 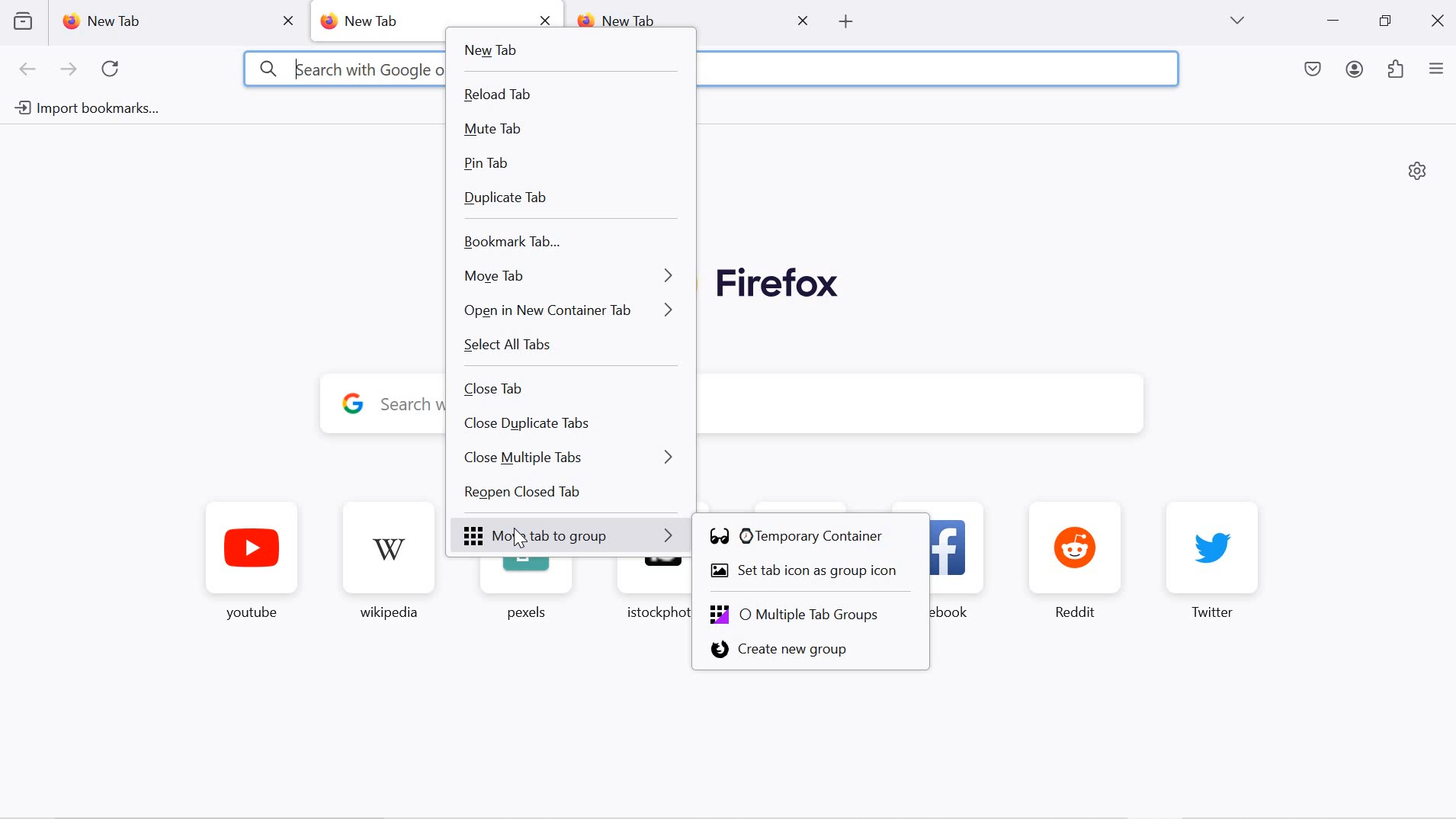 I want to click on new tab, so click(x=371, y=21).